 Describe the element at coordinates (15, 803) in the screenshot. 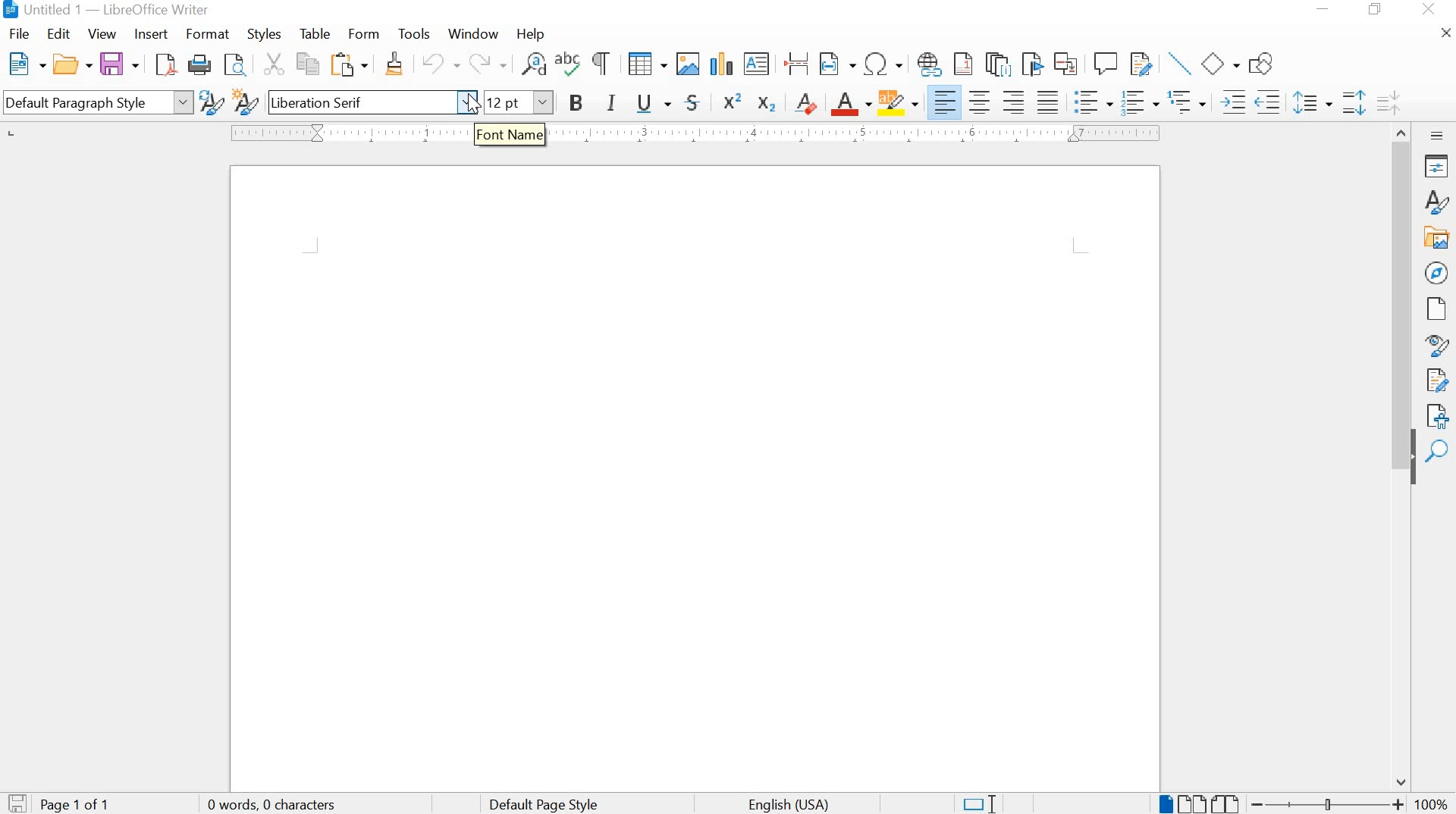

I see `SAVE` at that location.